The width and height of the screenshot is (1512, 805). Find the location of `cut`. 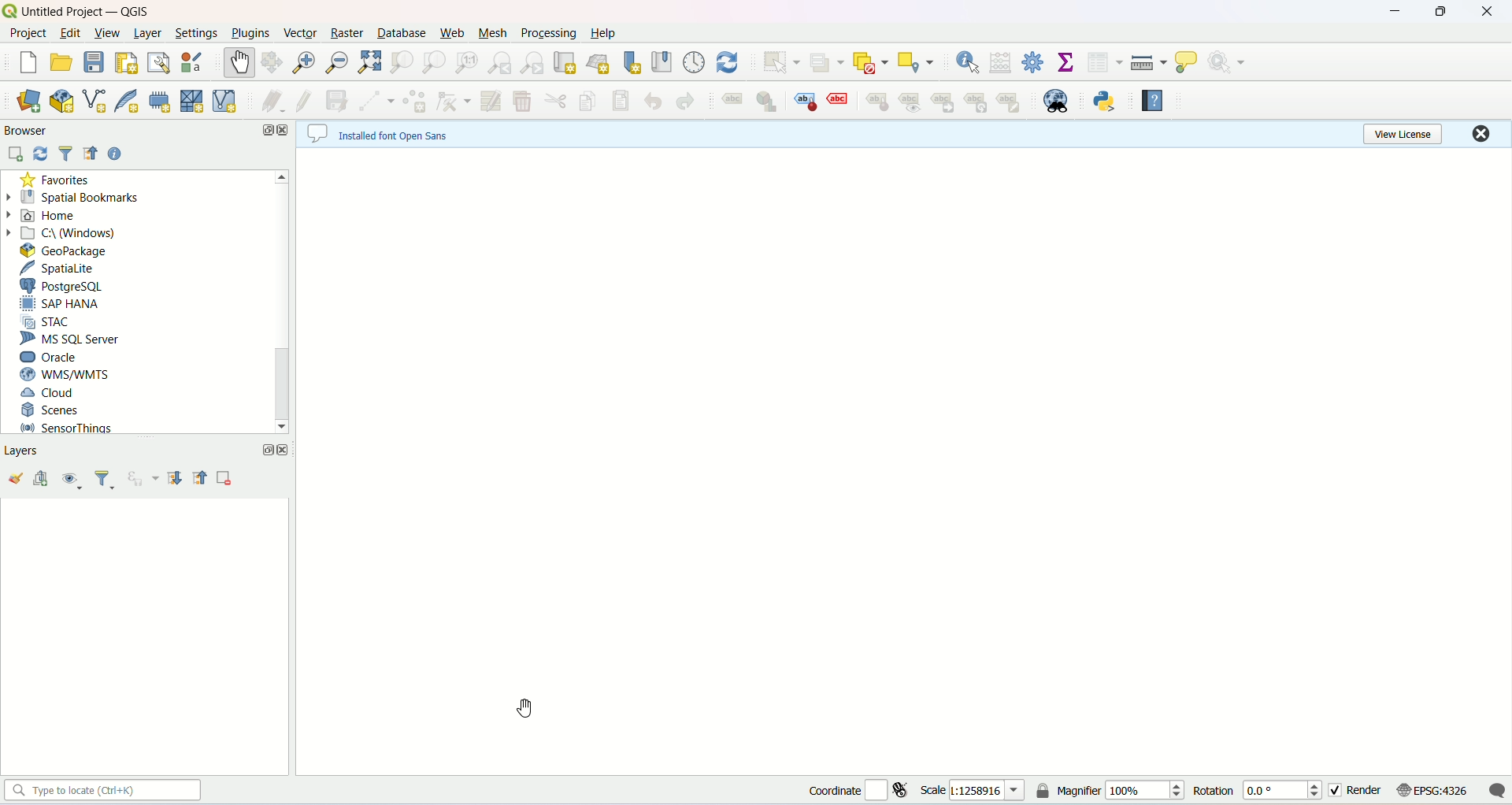

cut is located at coordinates (558, 102).